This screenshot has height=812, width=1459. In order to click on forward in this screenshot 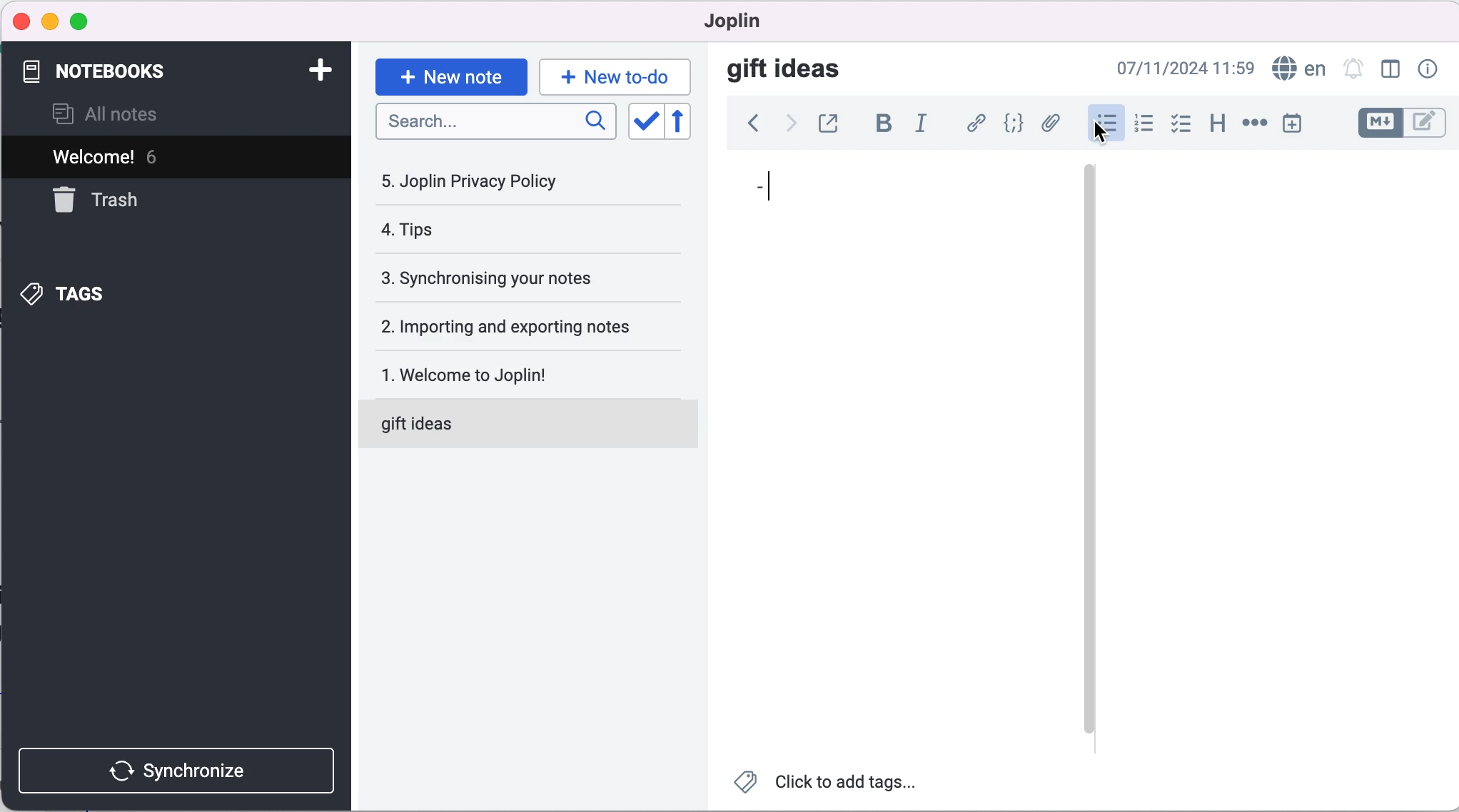, I will do `click(787, 126)`.